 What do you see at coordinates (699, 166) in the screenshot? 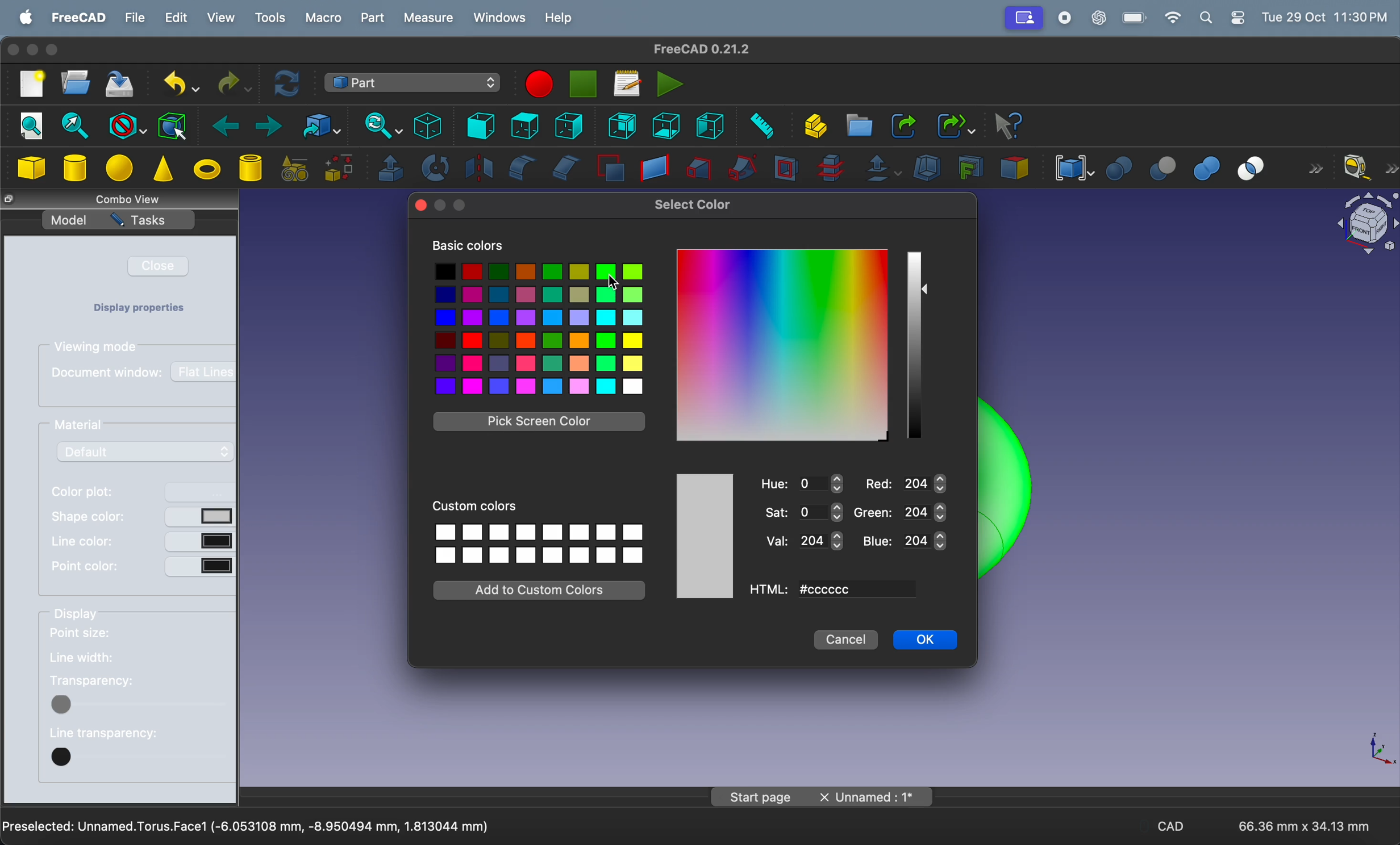
I see `loft` at bounding box center [699, 166].